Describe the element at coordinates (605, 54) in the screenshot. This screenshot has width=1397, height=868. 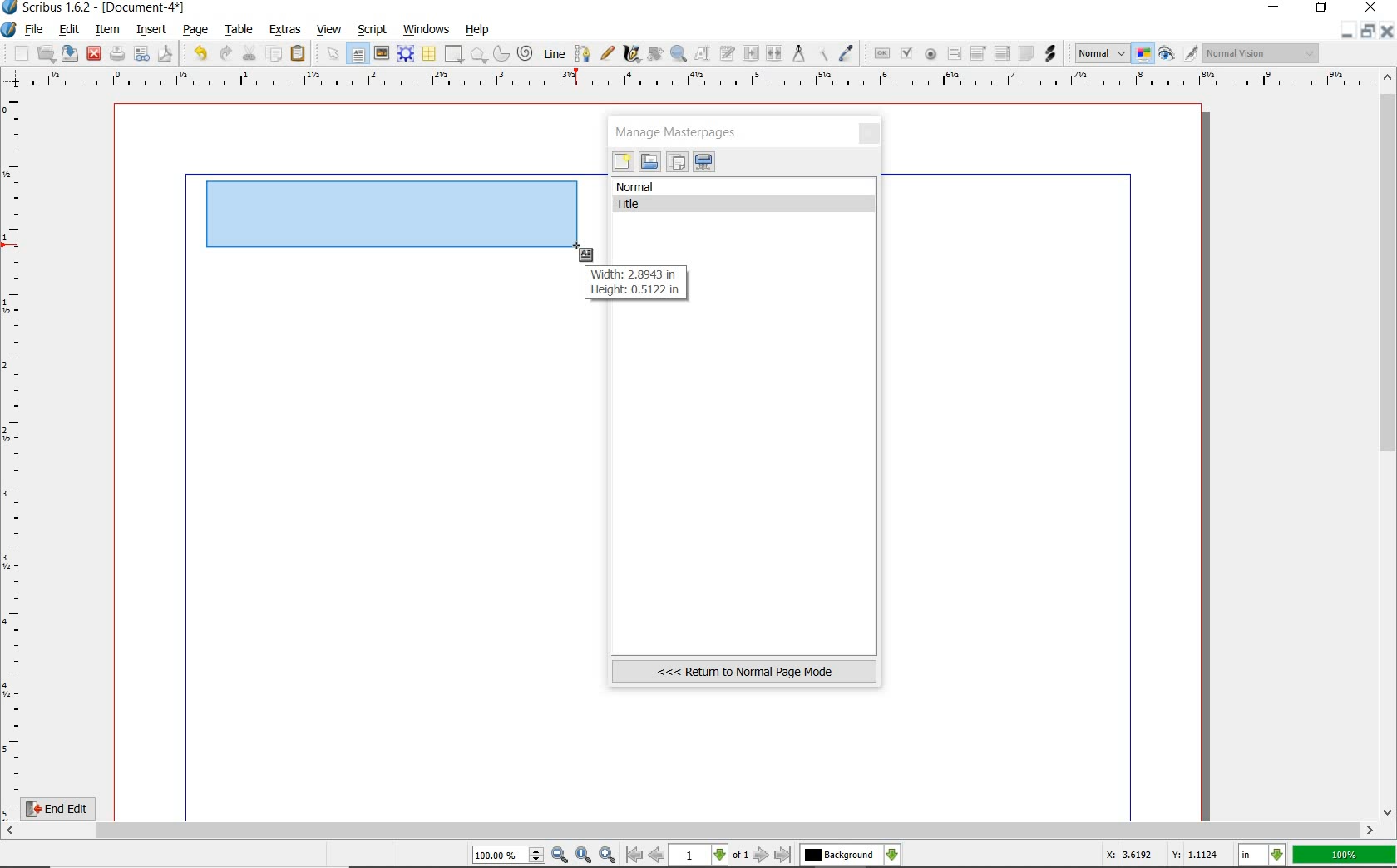
I see `freehand line` at that location.